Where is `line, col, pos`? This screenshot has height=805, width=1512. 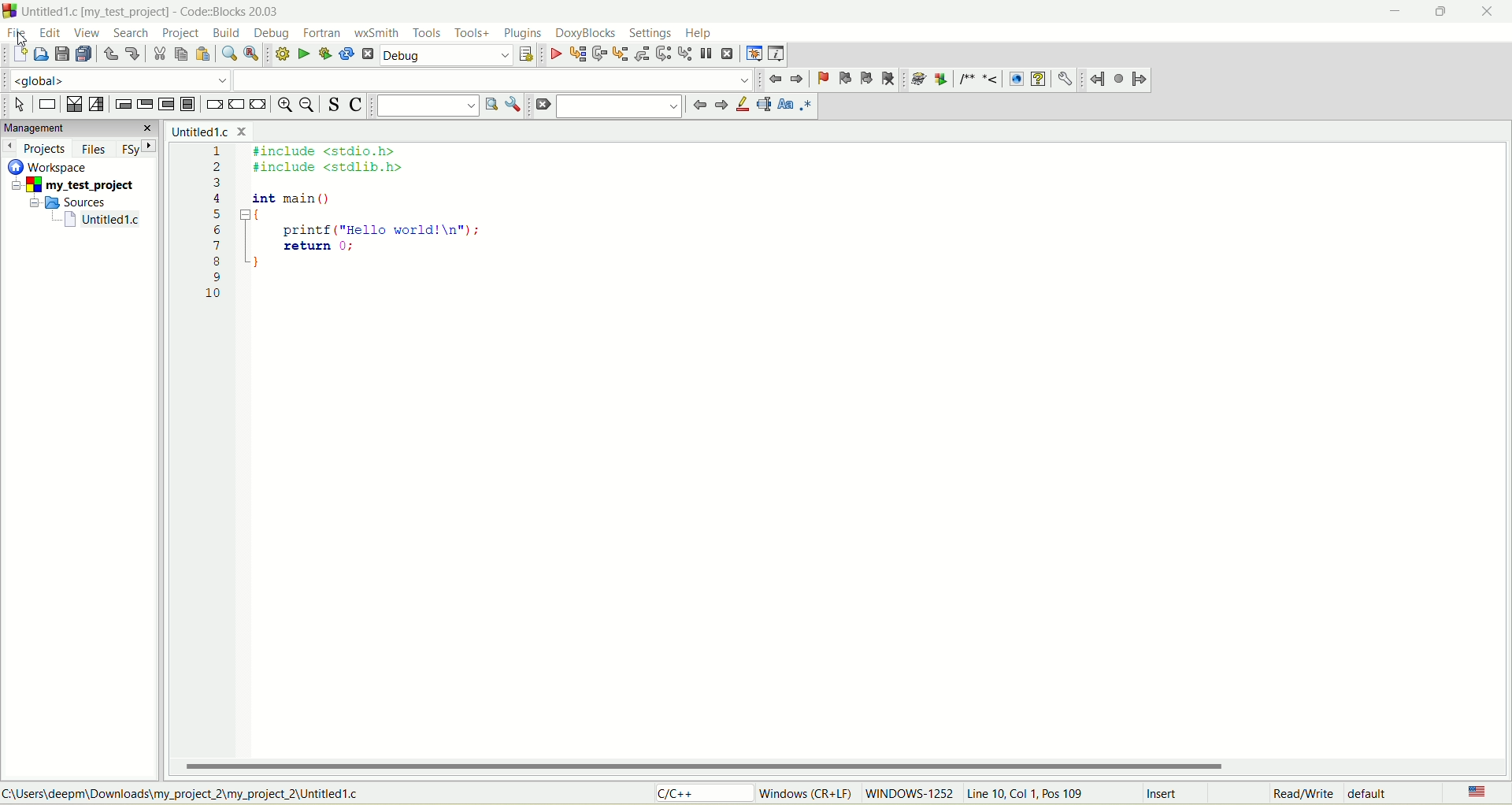 line, col, pos is located at coordinates (1027, 794).